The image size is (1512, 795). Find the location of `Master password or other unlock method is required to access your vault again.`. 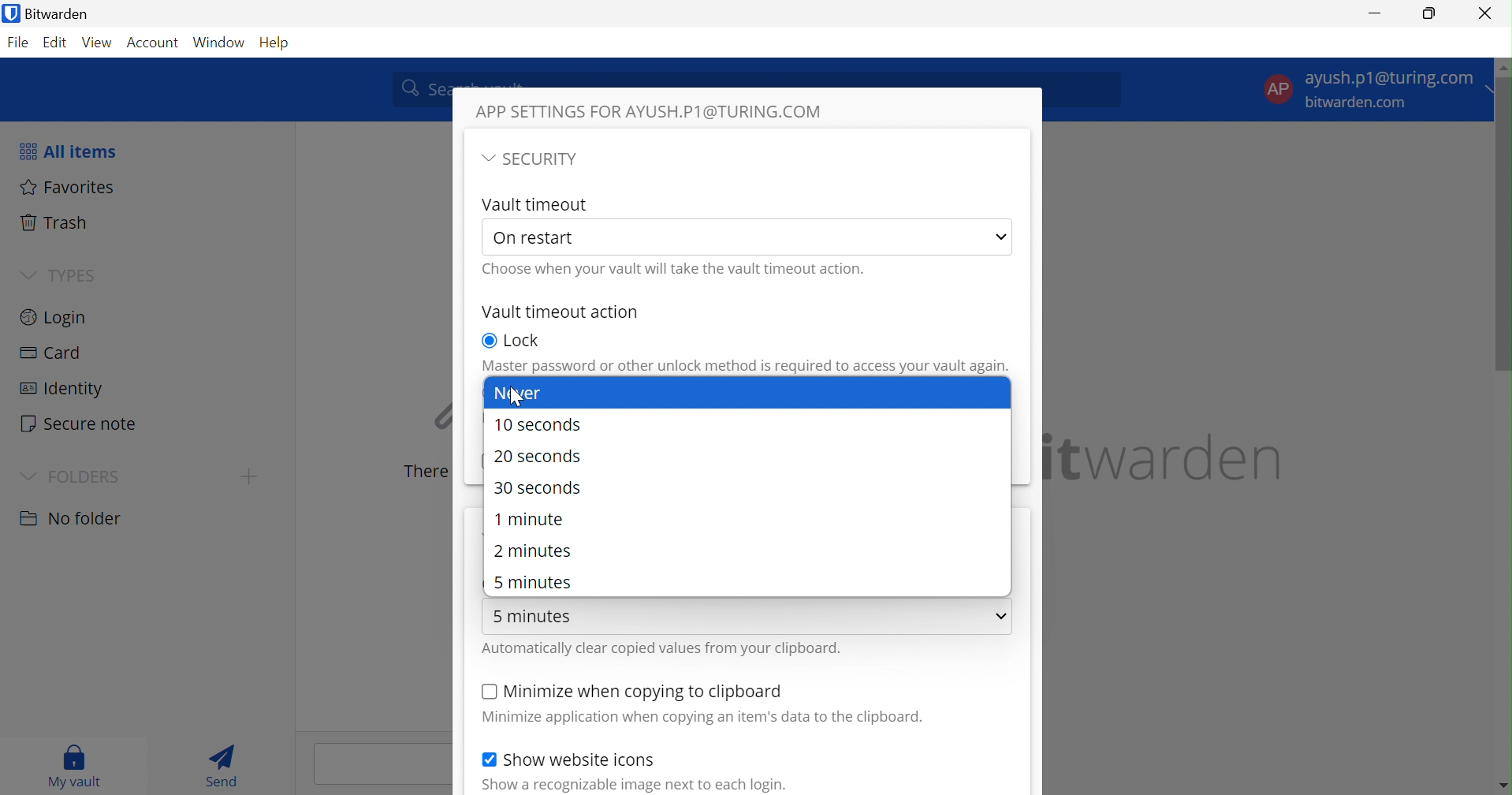

Master password or other unlock method is required to access your vault again. is located at coordinates (745, 366).